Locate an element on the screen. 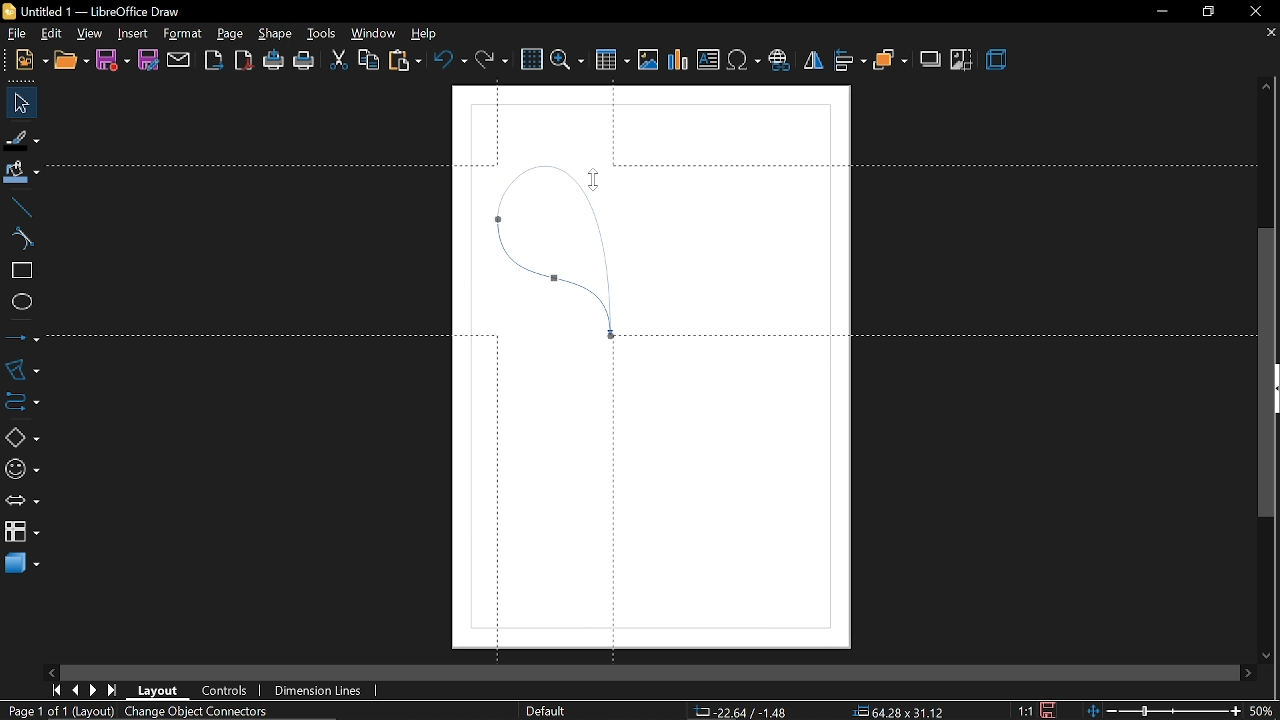 Image resolution: width=1280 pixels, height=720 pixels. line is located at coordinates (18, 205).